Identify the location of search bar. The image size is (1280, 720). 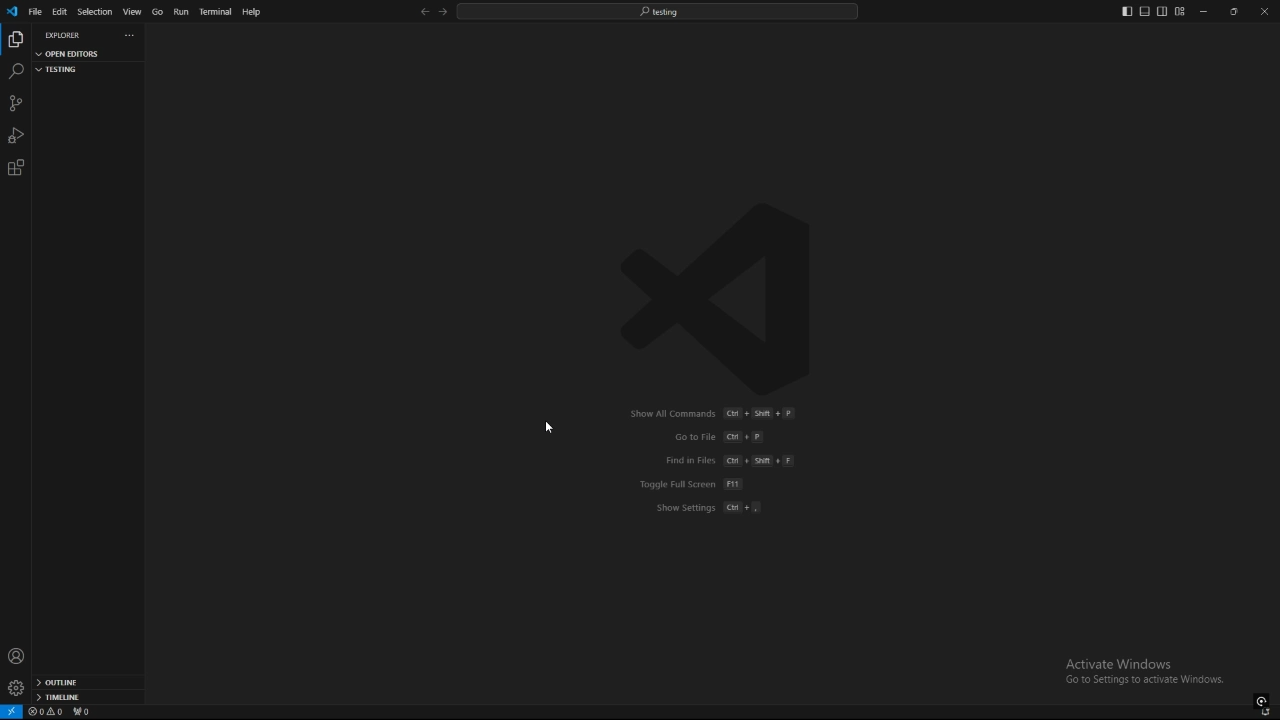
(657, 11).